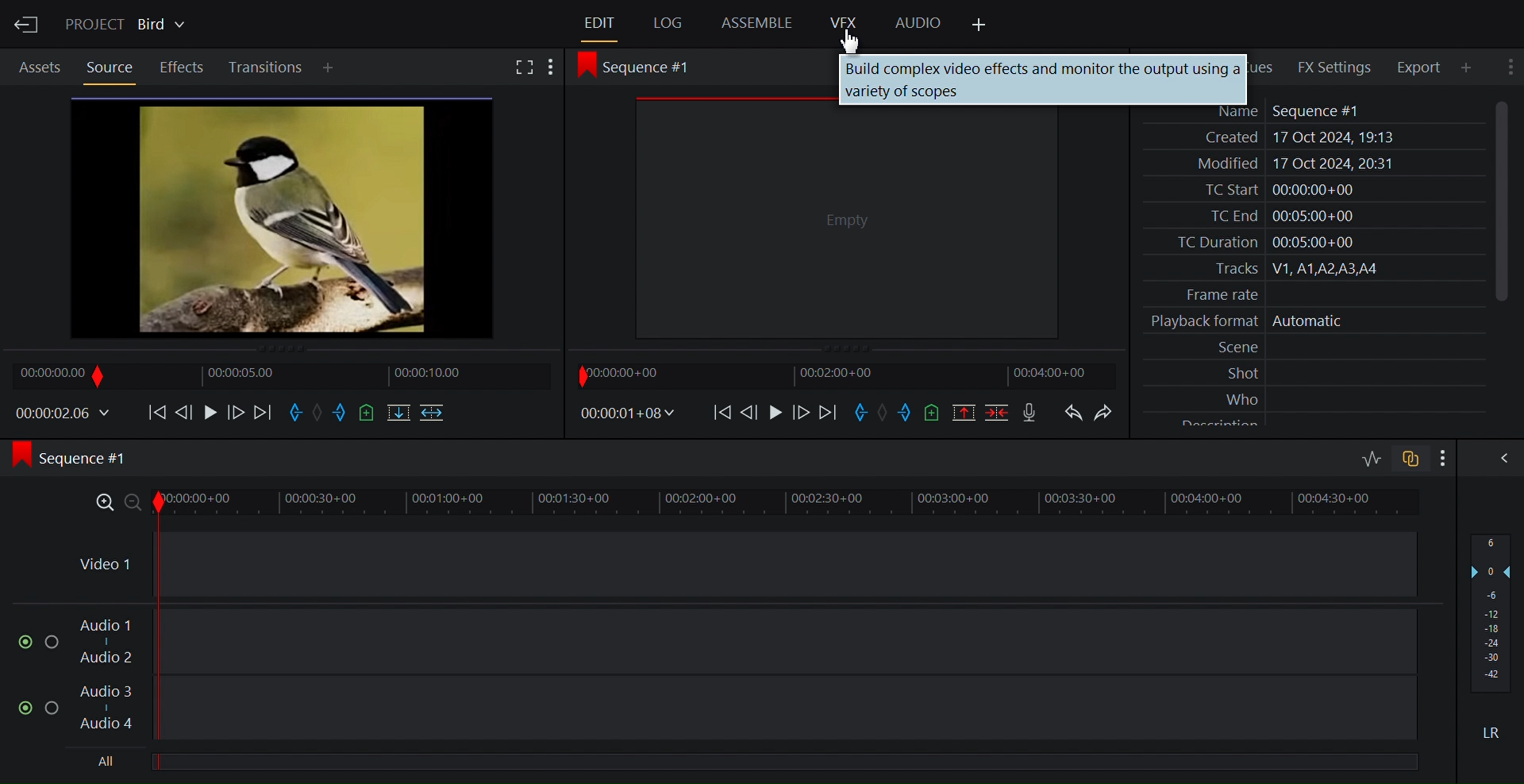 Image resolution: width=1524 pixels, height=784 pixels. Describe the element at coordinates (1512, 63) in the screenshot. I see `Show settings menu` at that location.